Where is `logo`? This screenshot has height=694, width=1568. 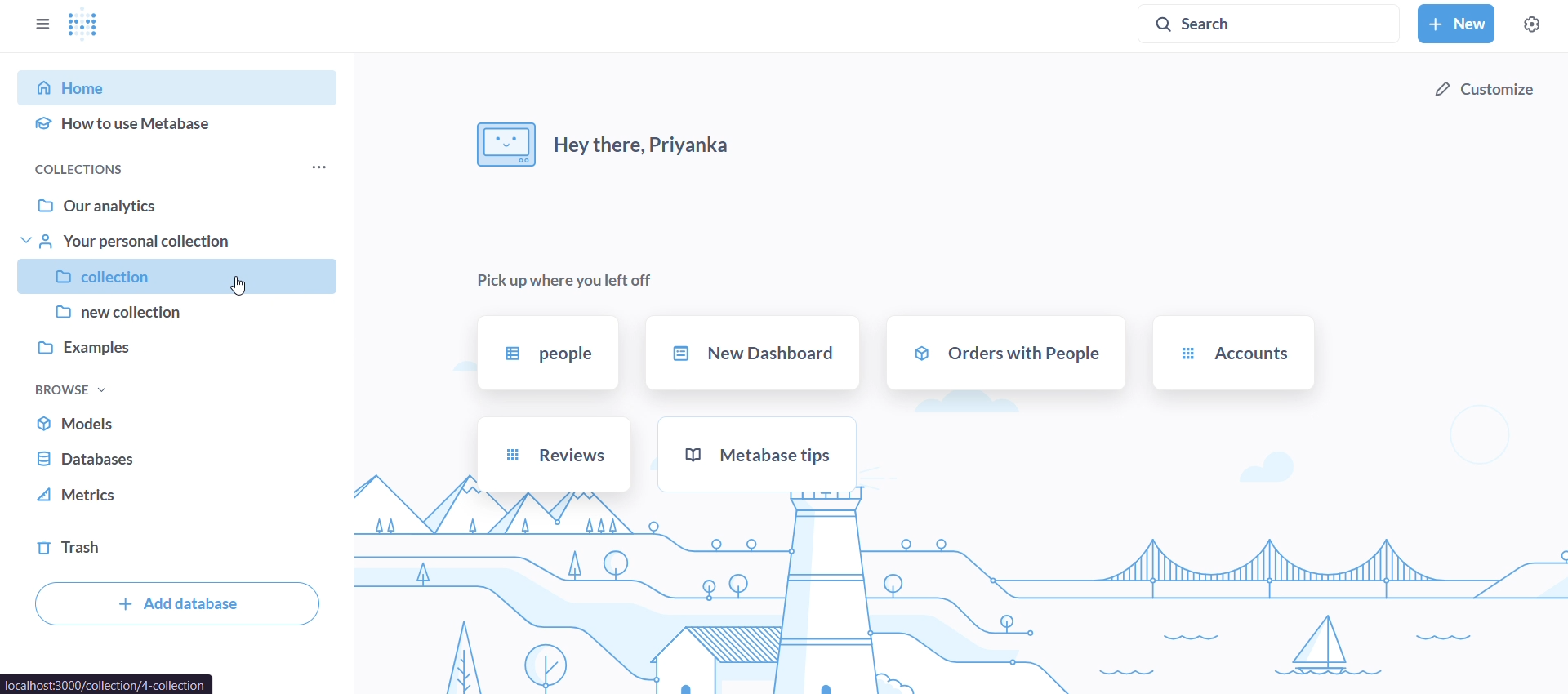 logo is located at coordinates (86, 25).